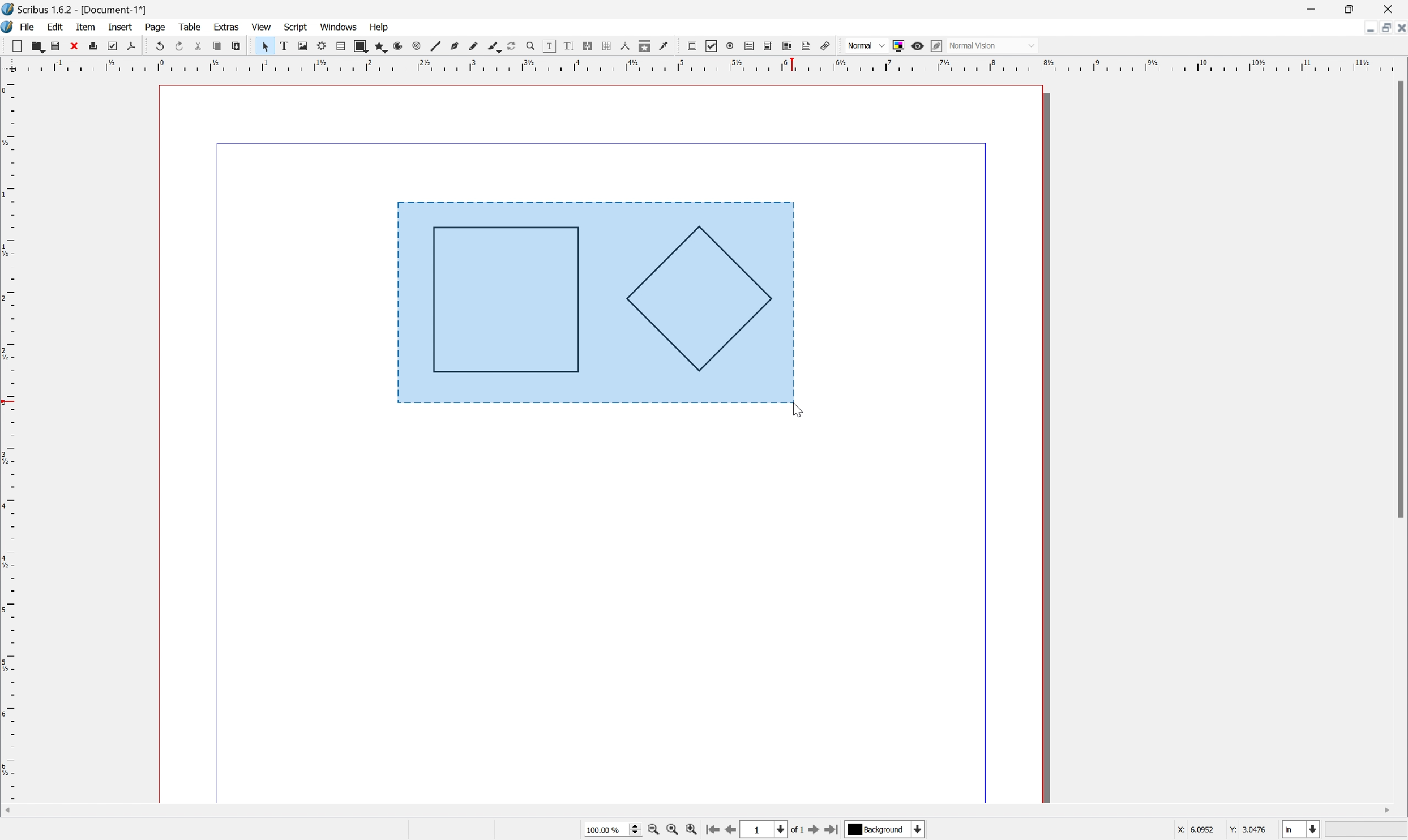 Image resolution: width=1408 pixels, height=840 pixels. I want to click on Go to next page, so click(811, 831).